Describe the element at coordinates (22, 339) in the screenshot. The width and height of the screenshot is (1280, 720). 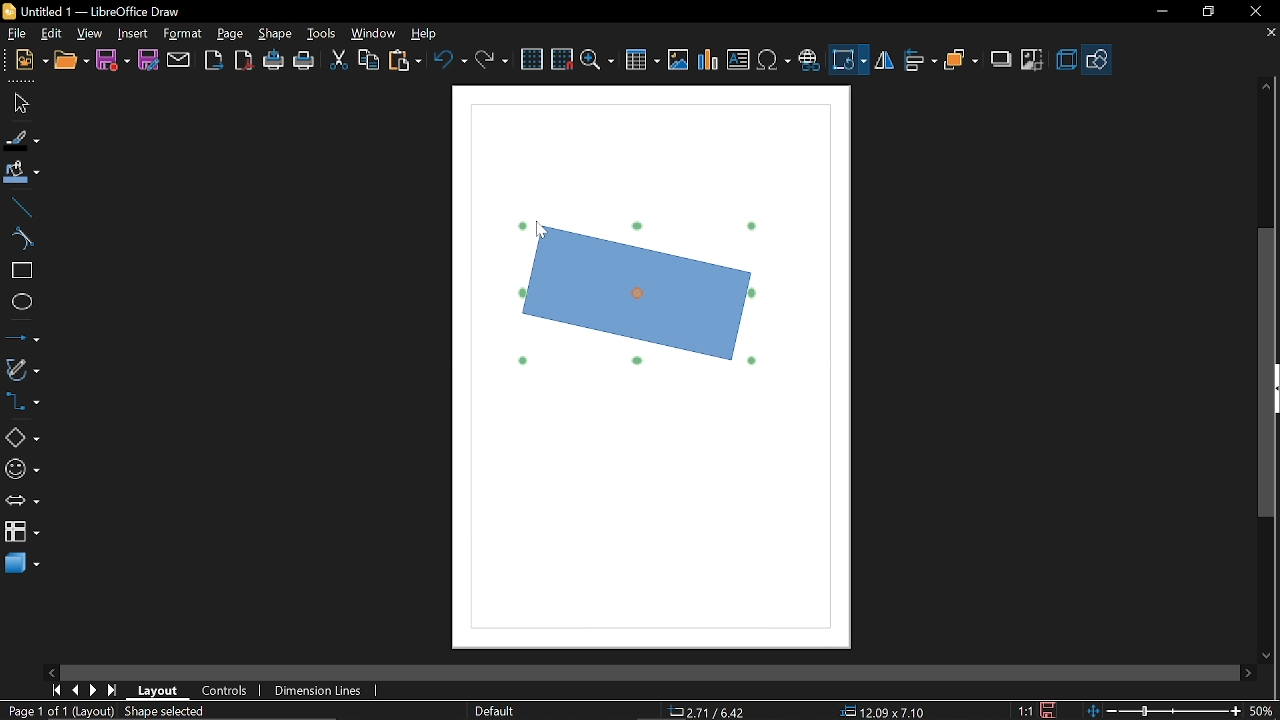
I see `lines and arrows` at that location.